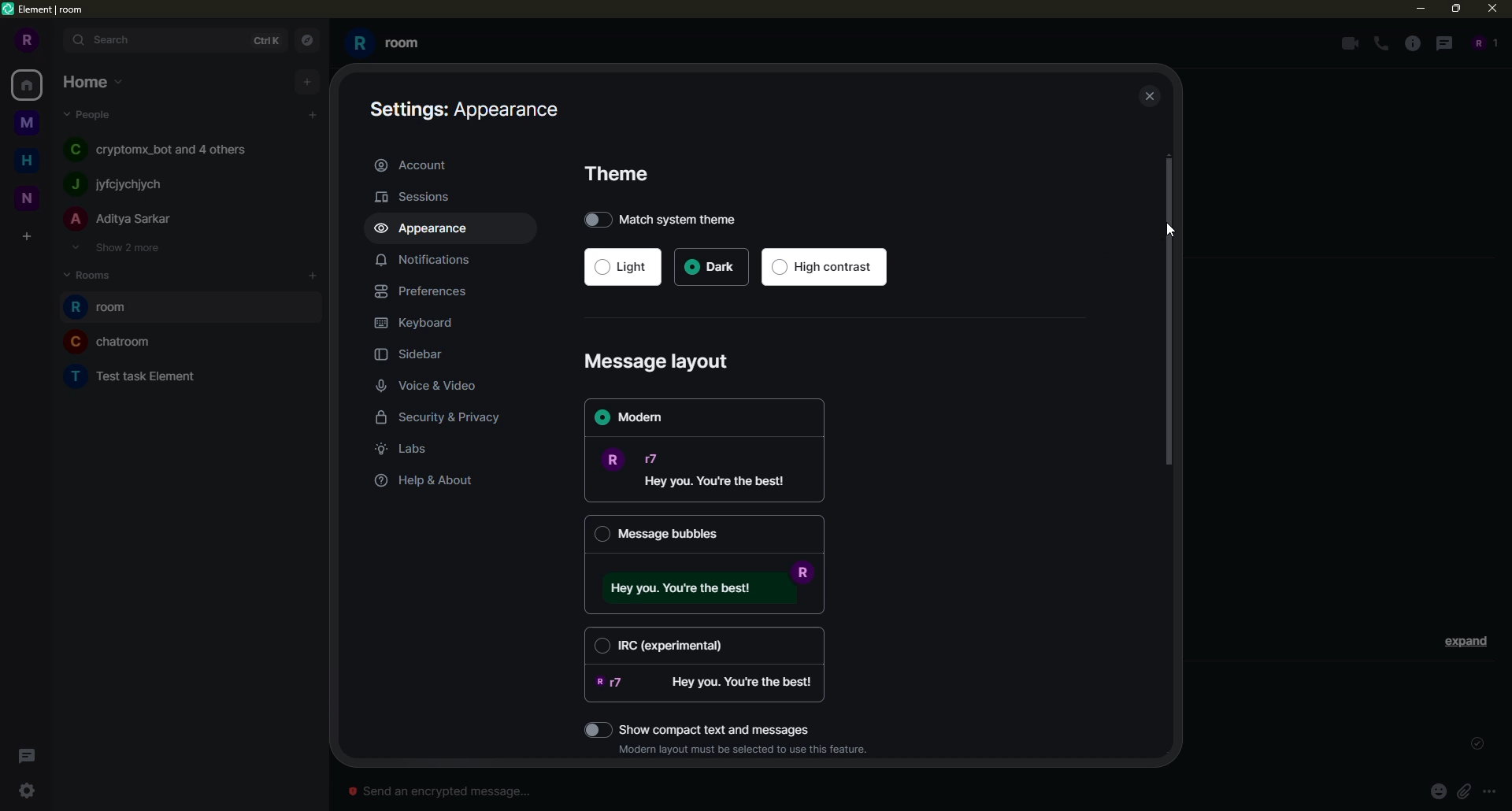 This screenshot has height=811, width=1512. I want to click on moder, so click(639, 418).